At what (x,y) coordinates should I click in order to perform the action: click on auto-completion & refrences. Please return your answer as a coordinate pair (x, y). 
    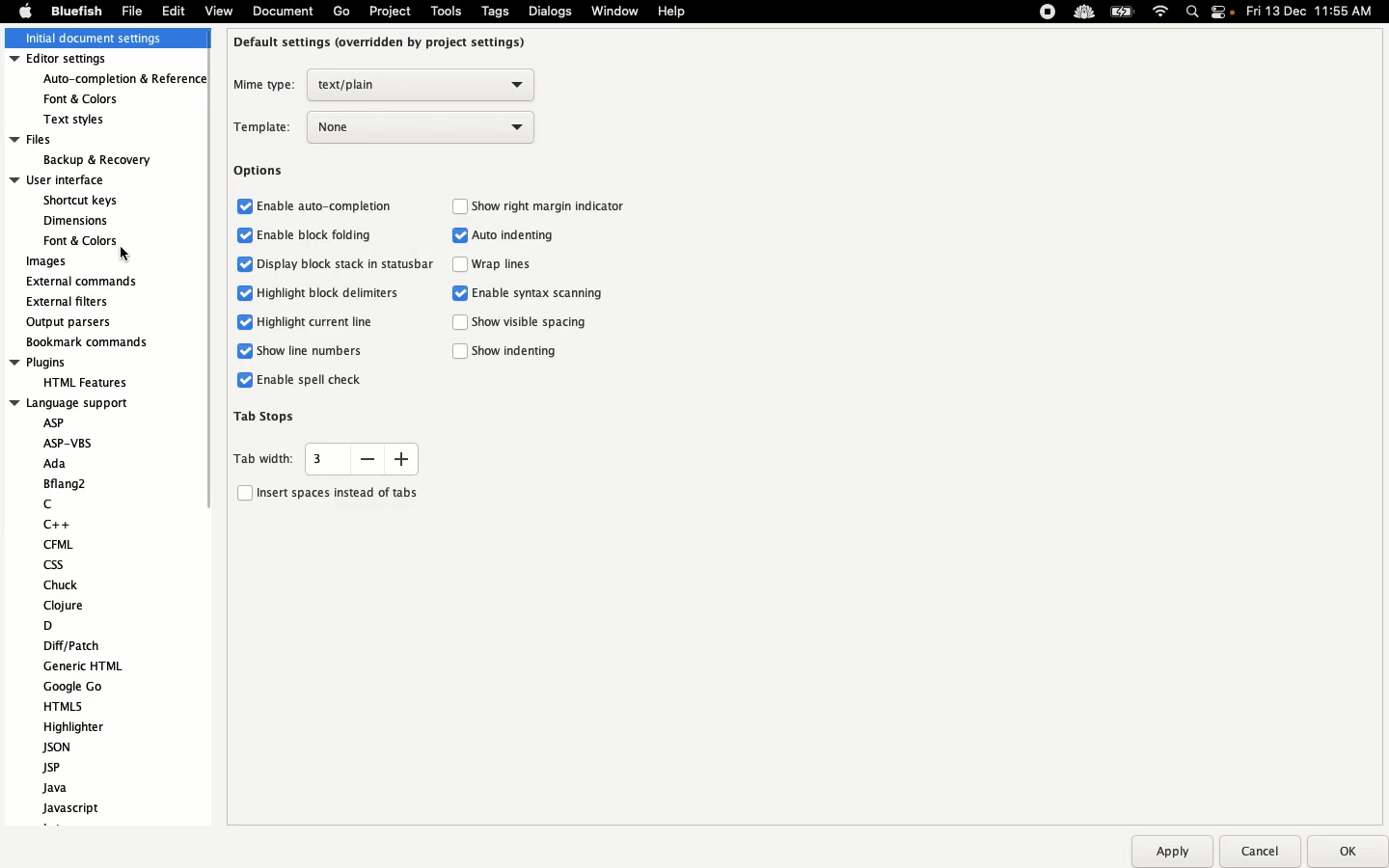
    Looking at the image, I should click on (126, 80).